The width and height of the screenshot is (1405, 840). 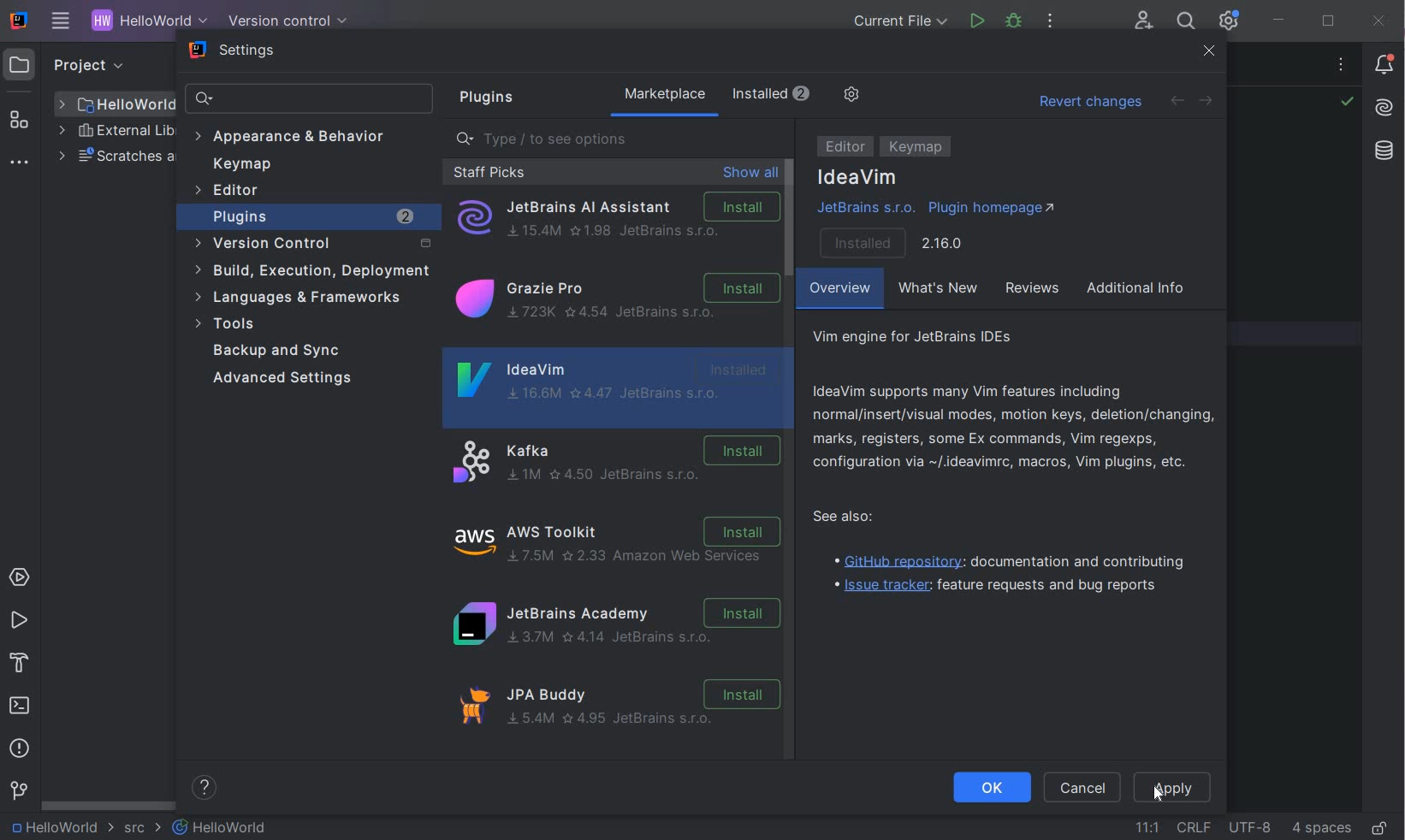 What do you see at coordinates (1383, 153) in the screenshot?
I see `database` at bounding box center [1383, 153].